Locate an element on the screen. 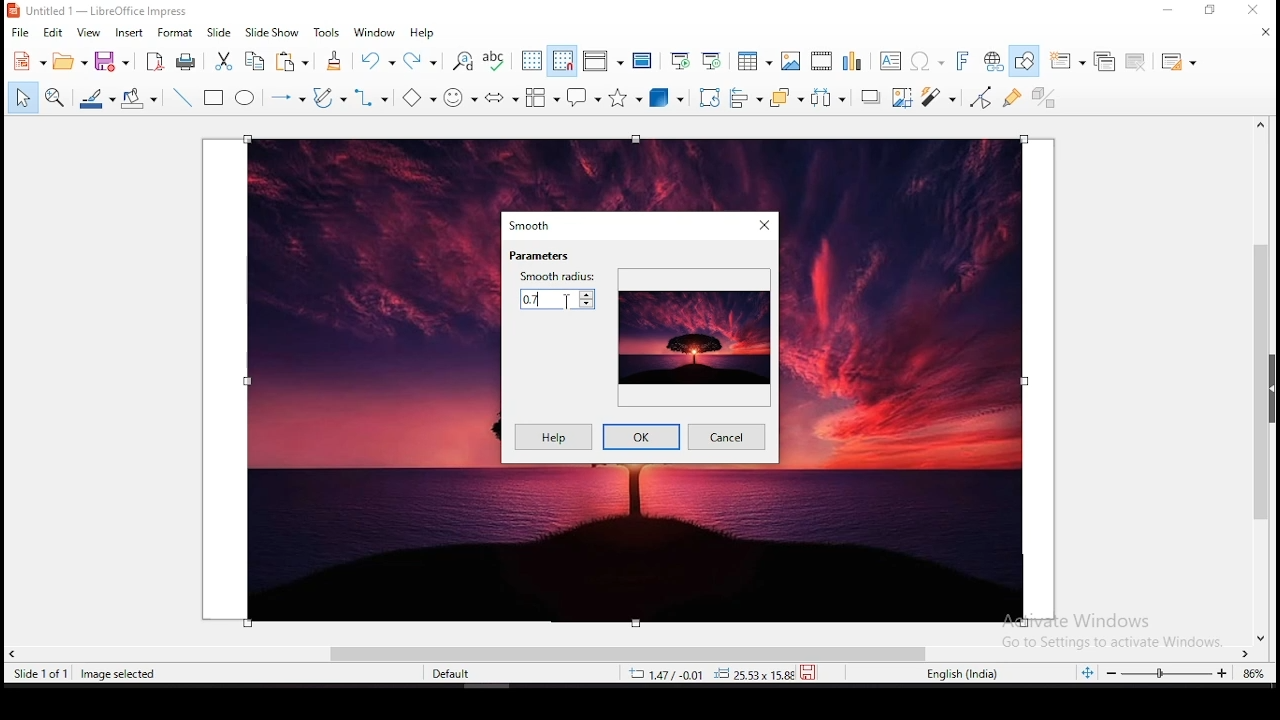 This screenshot has width=1280, height=720. fit slide to current window is located at coordinates (1090, 673).